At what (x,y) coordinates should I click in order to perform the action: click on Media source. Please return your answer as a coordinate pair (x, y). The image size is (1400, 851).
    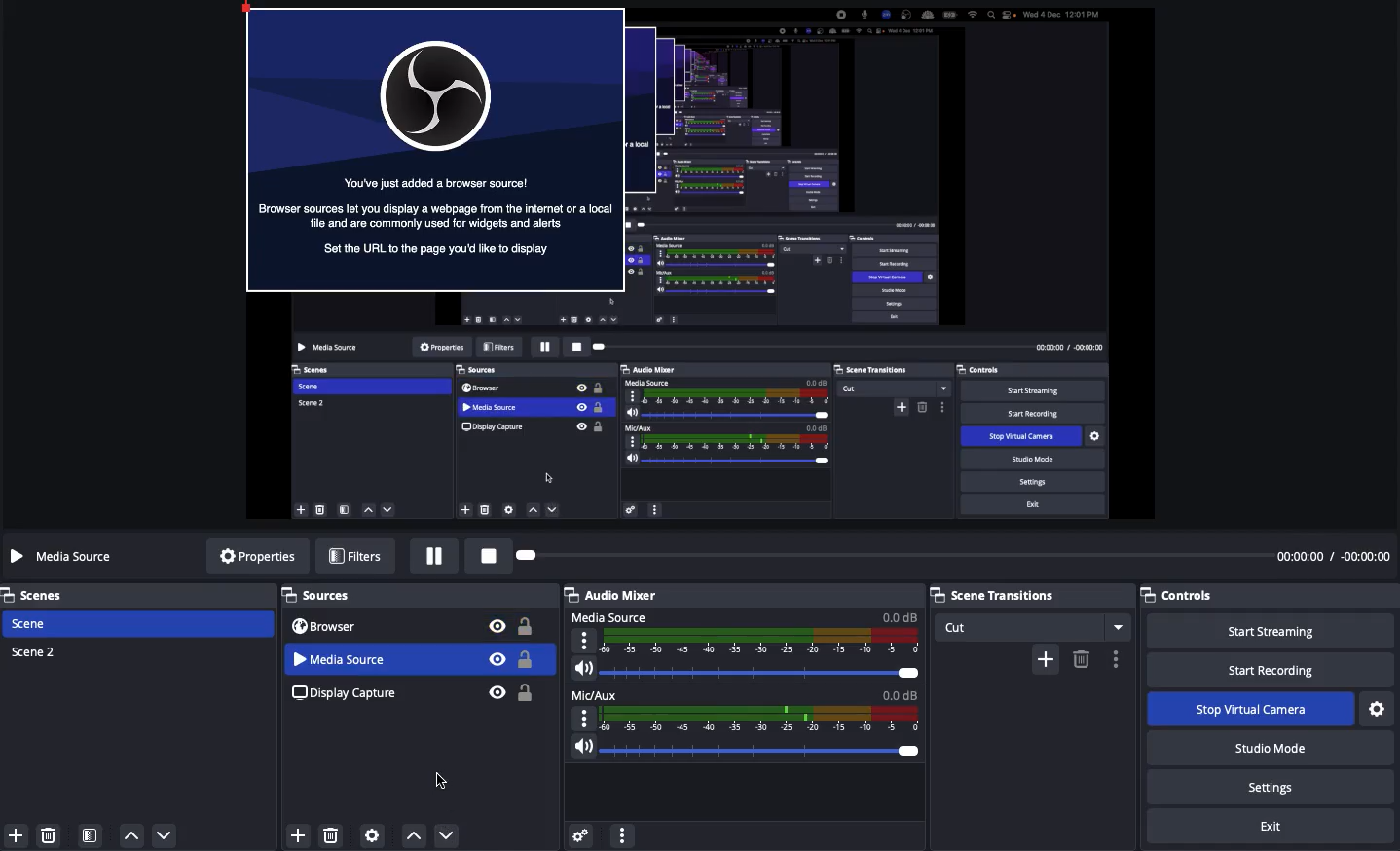
    Looking at the image, I should click on (744, 632).